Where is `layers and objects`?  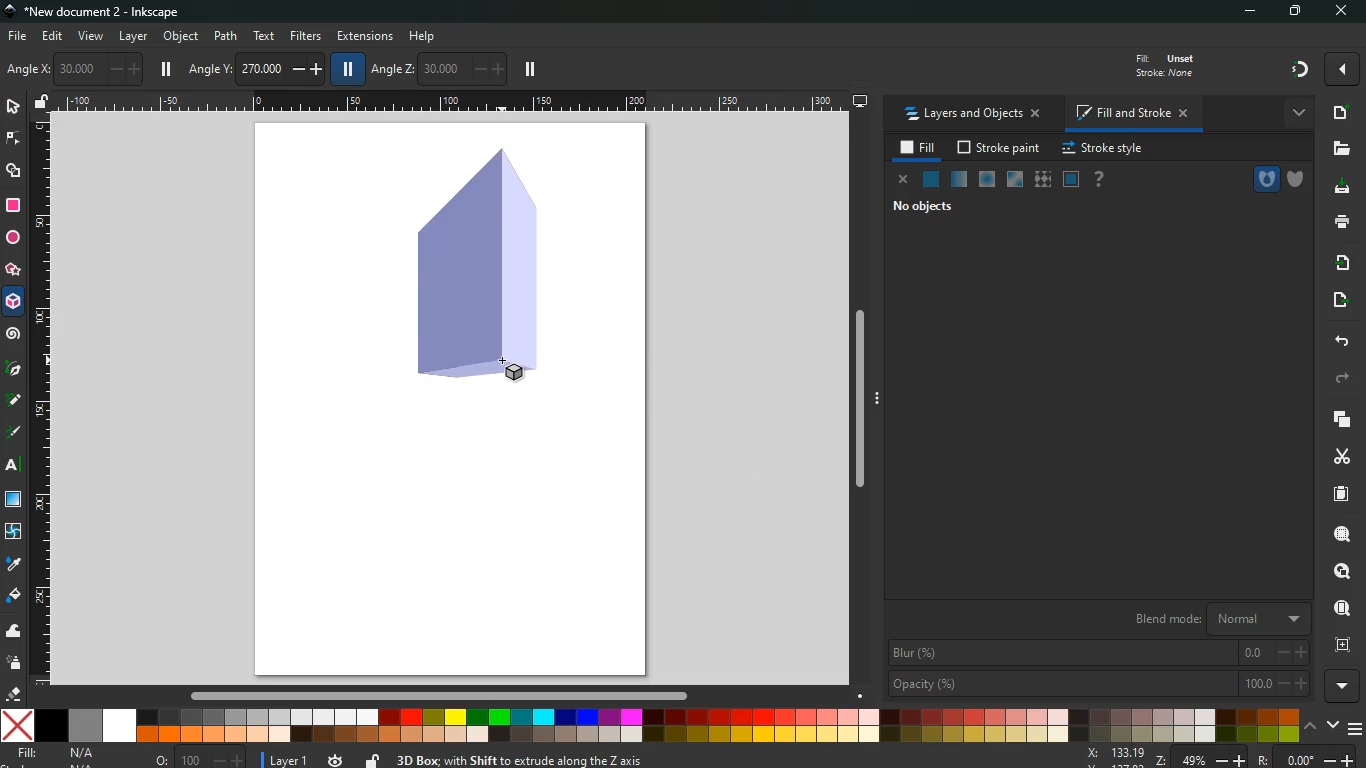
layers and objects is located at coordinates (972, 115).